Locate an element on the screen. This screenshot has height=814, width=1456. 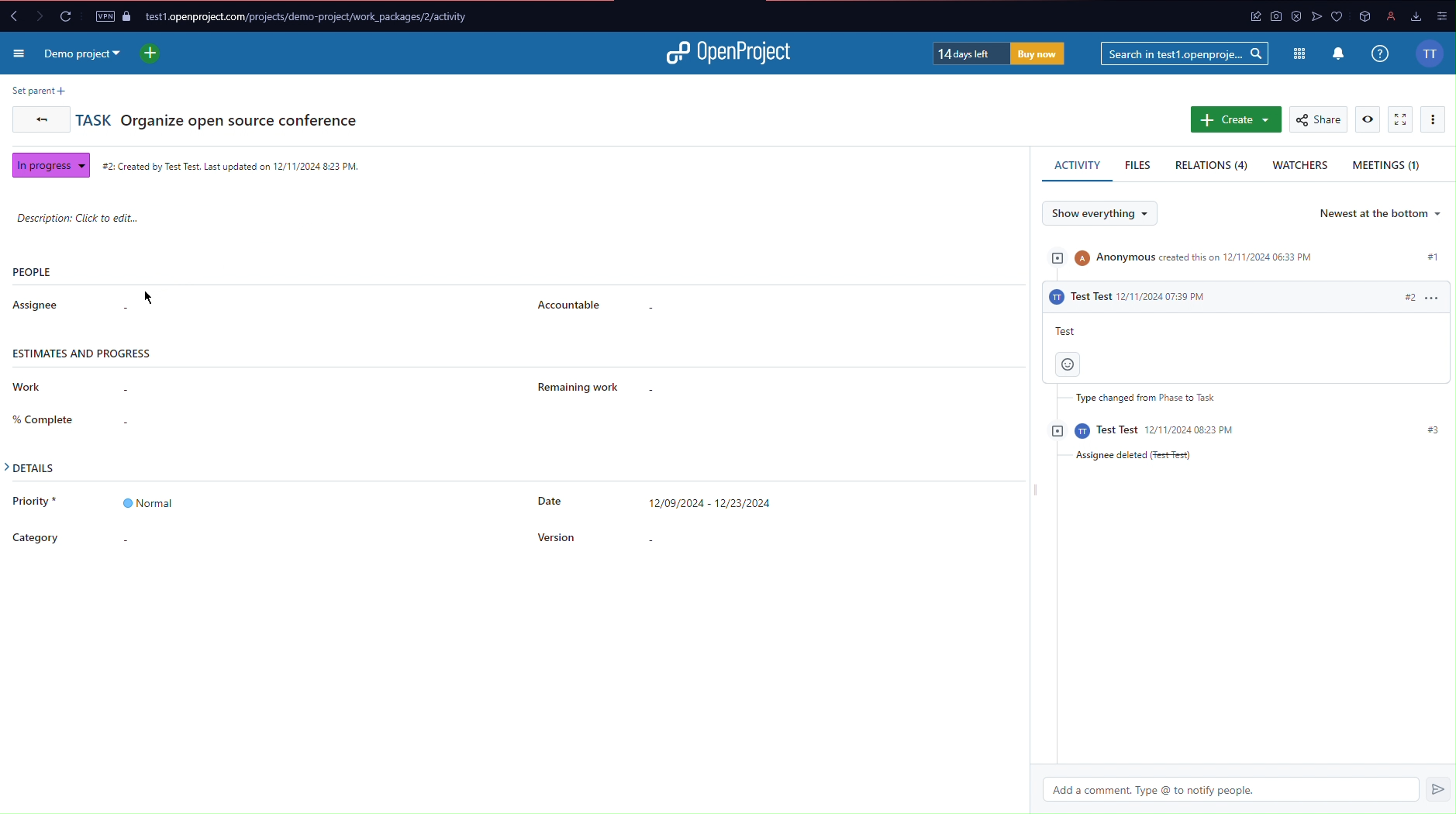
profile is located at coordinates (1391, 16).